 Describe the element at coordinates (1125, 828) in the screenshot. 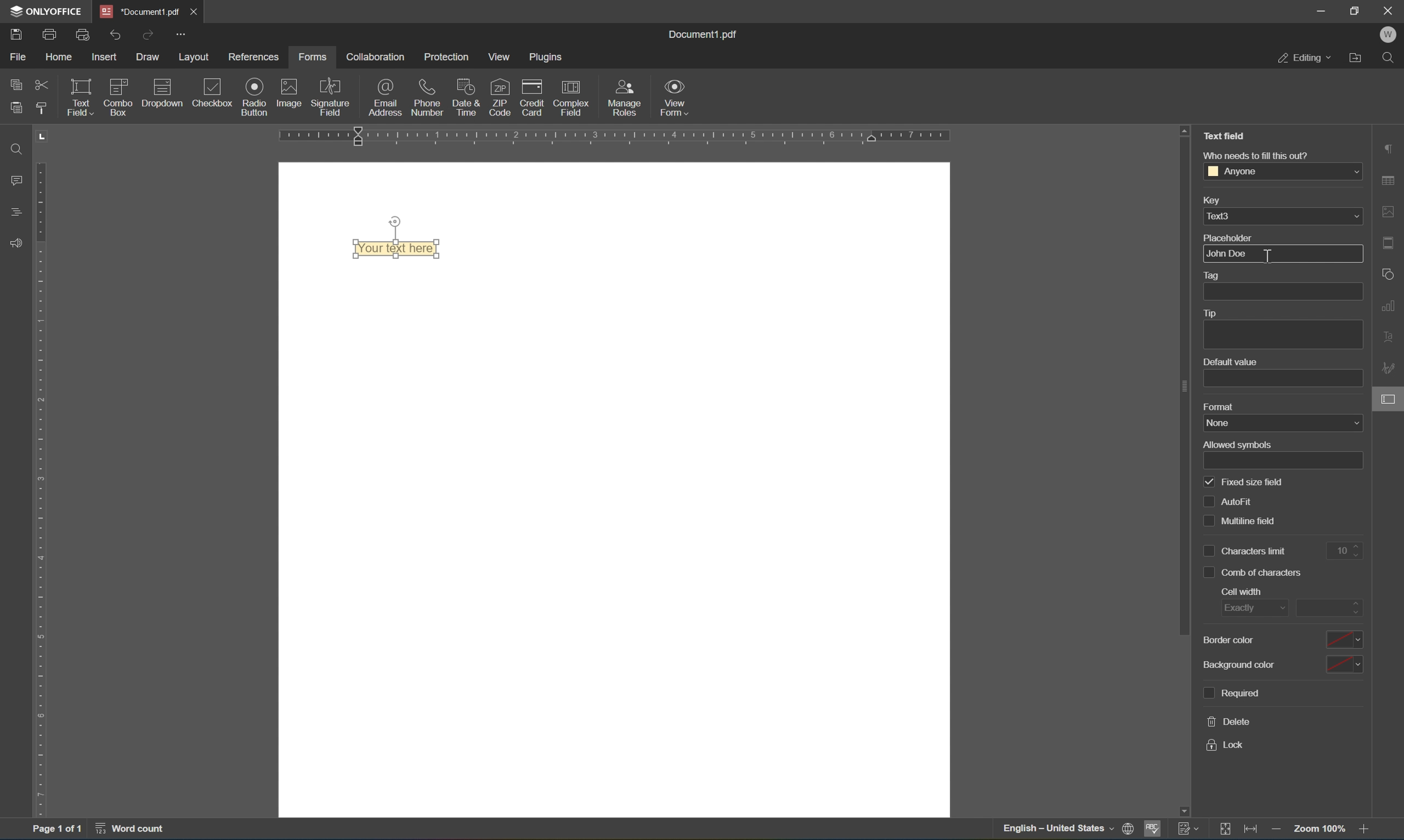

I see `print` at that location.